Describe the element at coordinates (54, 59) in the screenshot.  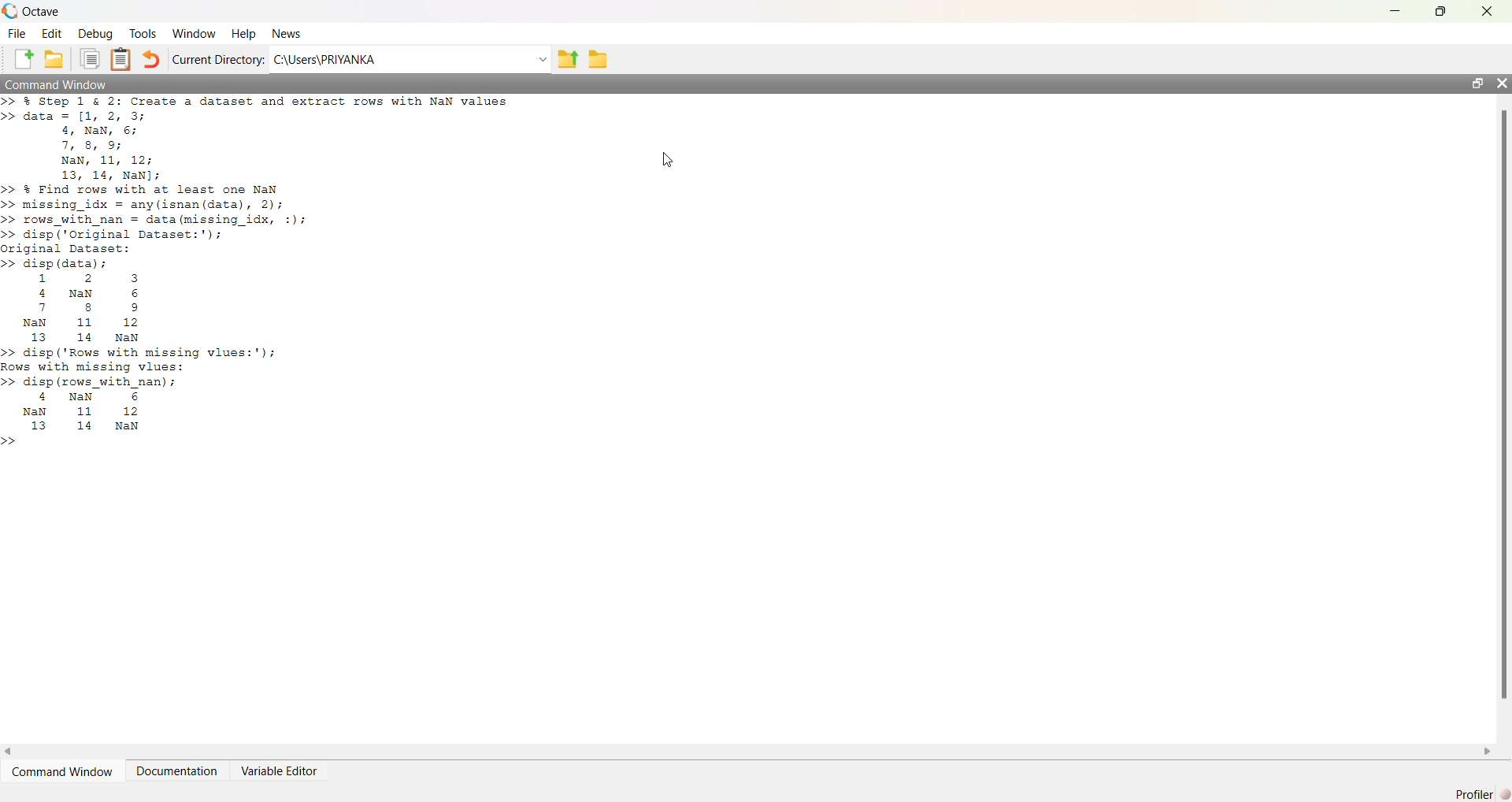
I see `New Folder` at that location.